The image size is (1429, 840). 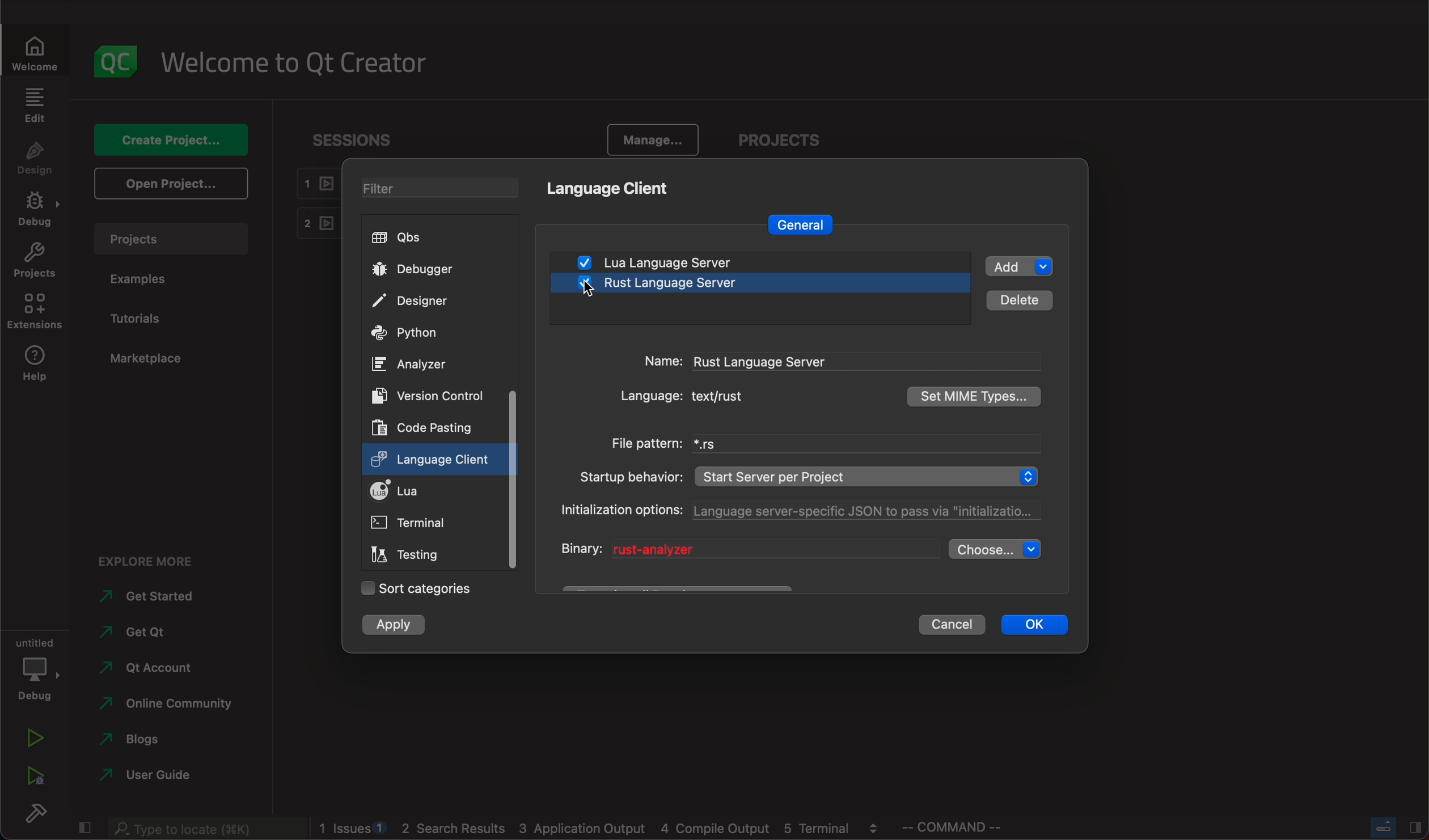 I want to click on debug, so click(x=37, y=668).